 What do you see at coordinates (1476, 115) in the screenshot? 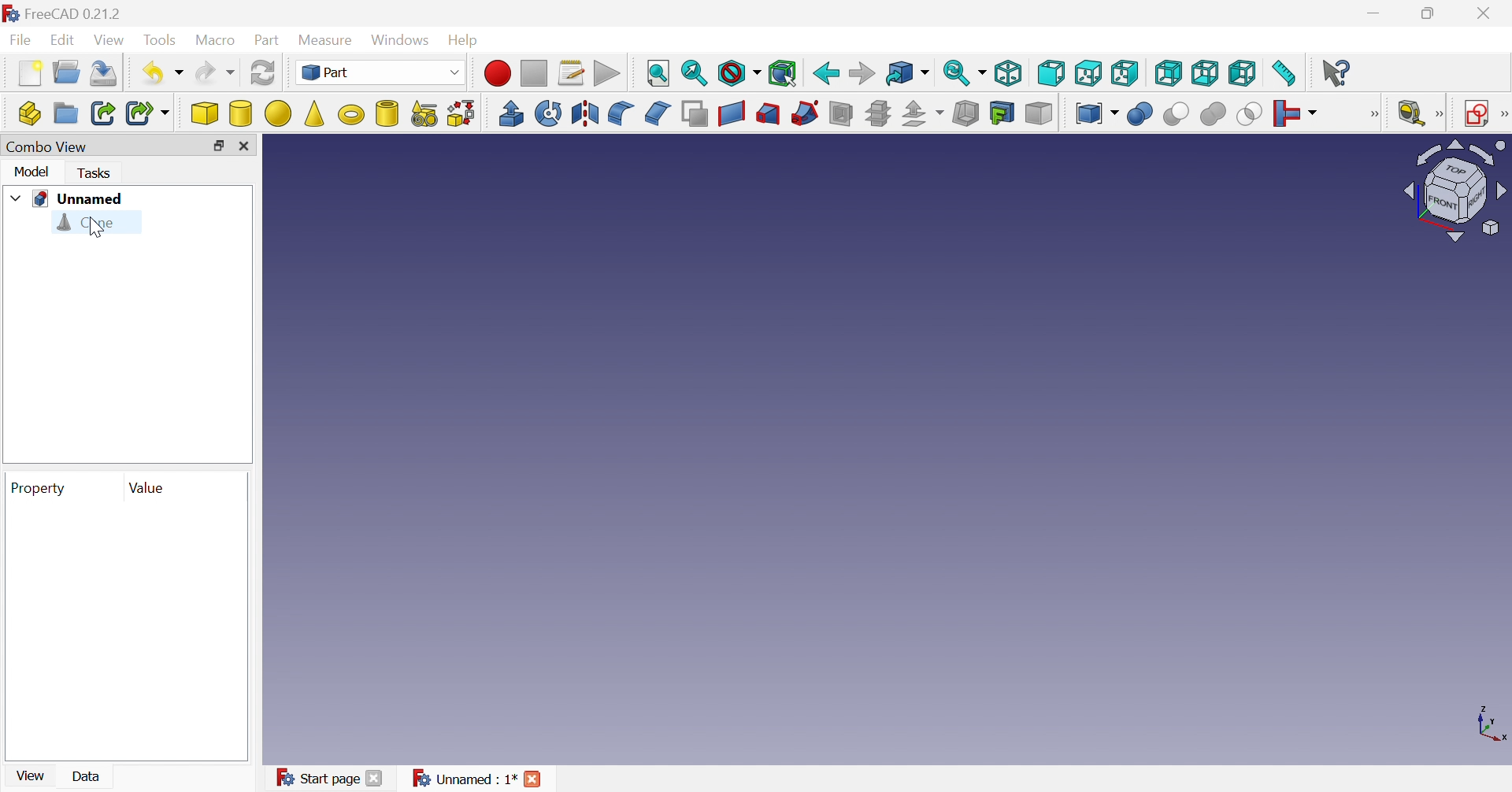
I see `Create sketch` at bounding box center [1476, 115].